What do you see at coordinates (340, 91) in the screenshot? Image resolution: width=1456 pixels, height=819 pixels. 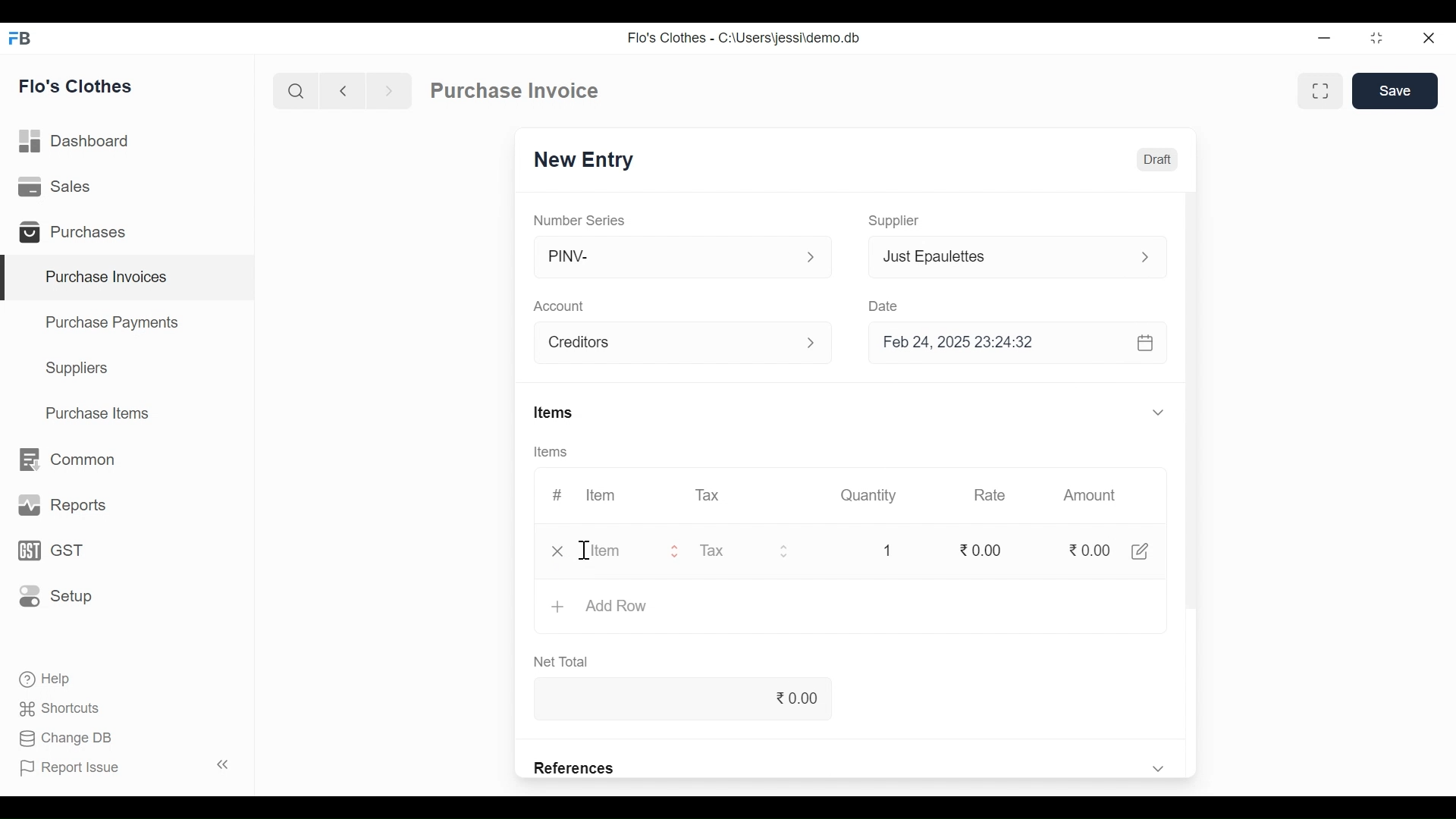 I see `Navigate back` at bounding box center [340, 91].